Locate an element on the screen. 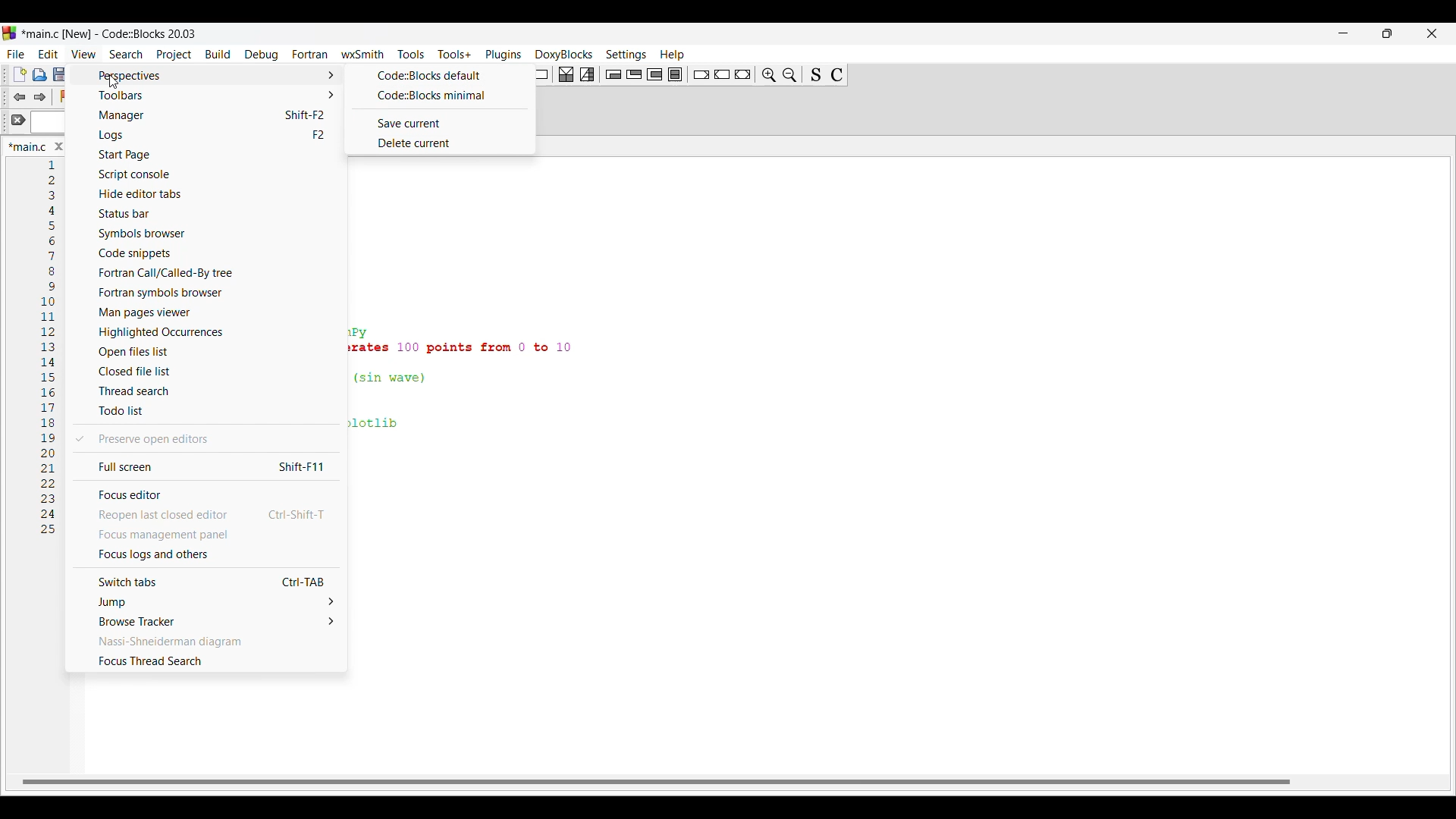 This screenshot has width=1456, height=819. File menu is located at coordinates (15, 55).